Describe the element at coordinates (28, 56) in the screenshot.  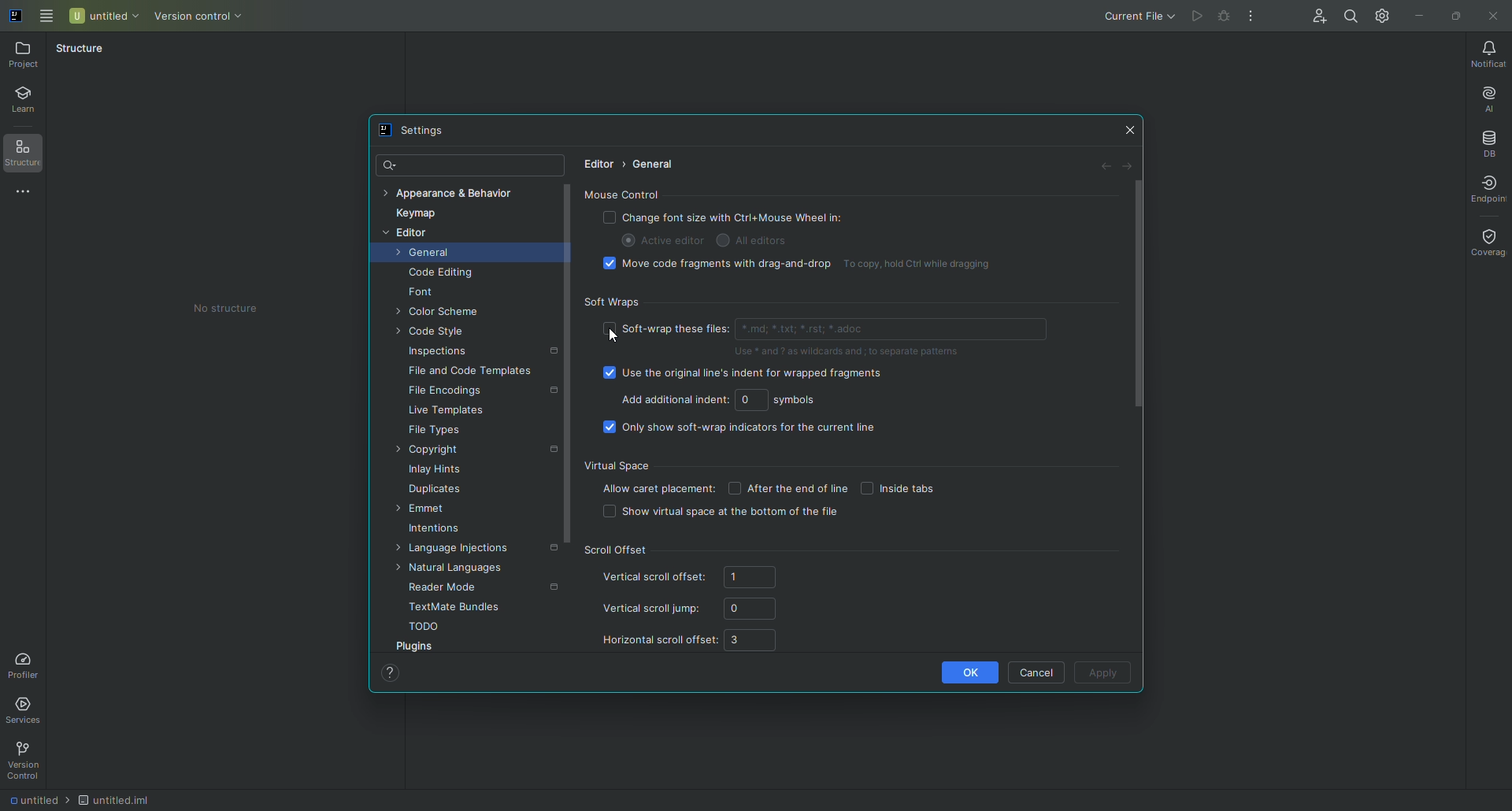
I see `Project` at that location.